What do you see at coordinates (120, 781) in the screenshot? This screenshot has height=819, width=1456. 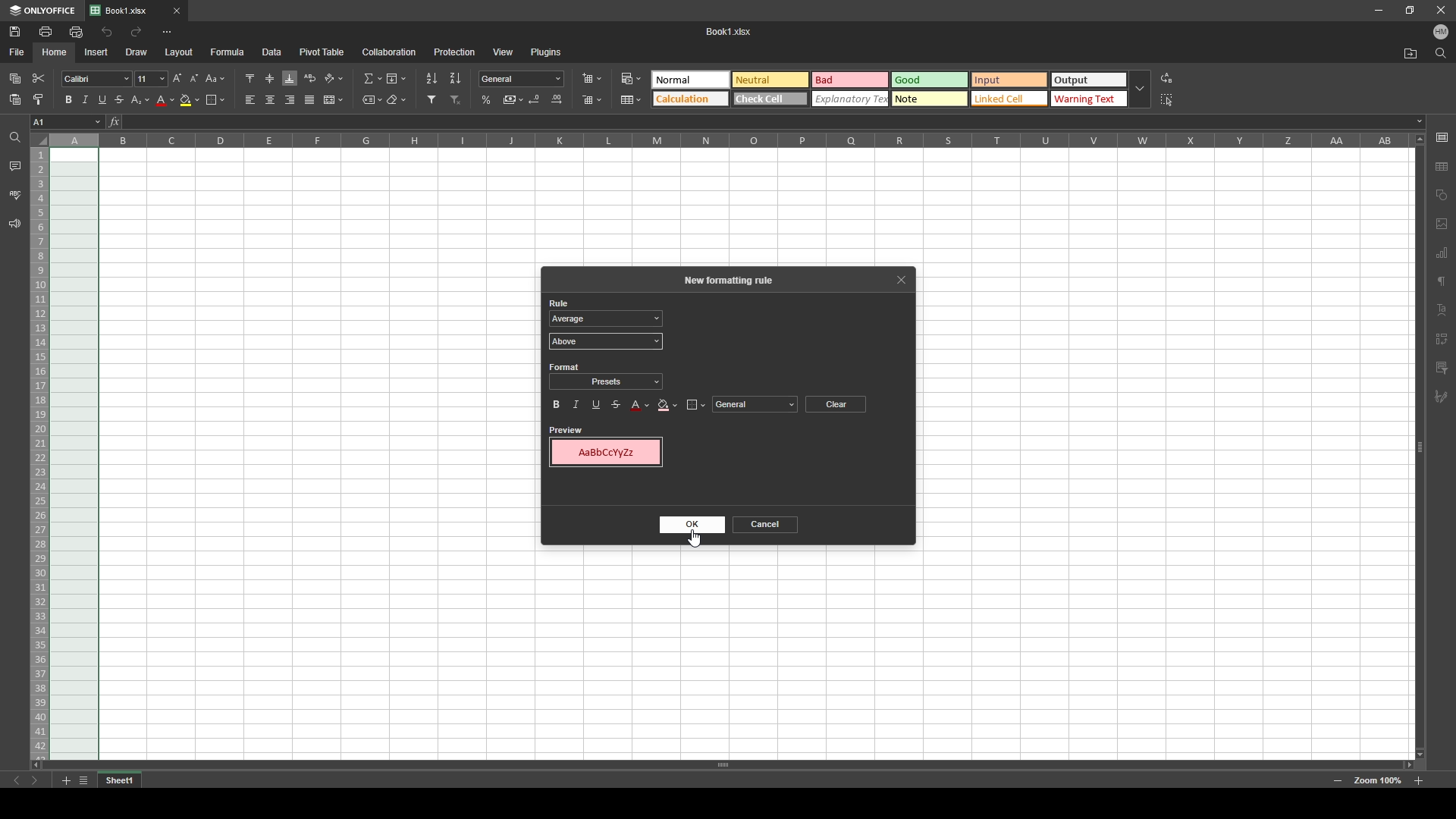 I see `tab` at bounding box center [120, 781].